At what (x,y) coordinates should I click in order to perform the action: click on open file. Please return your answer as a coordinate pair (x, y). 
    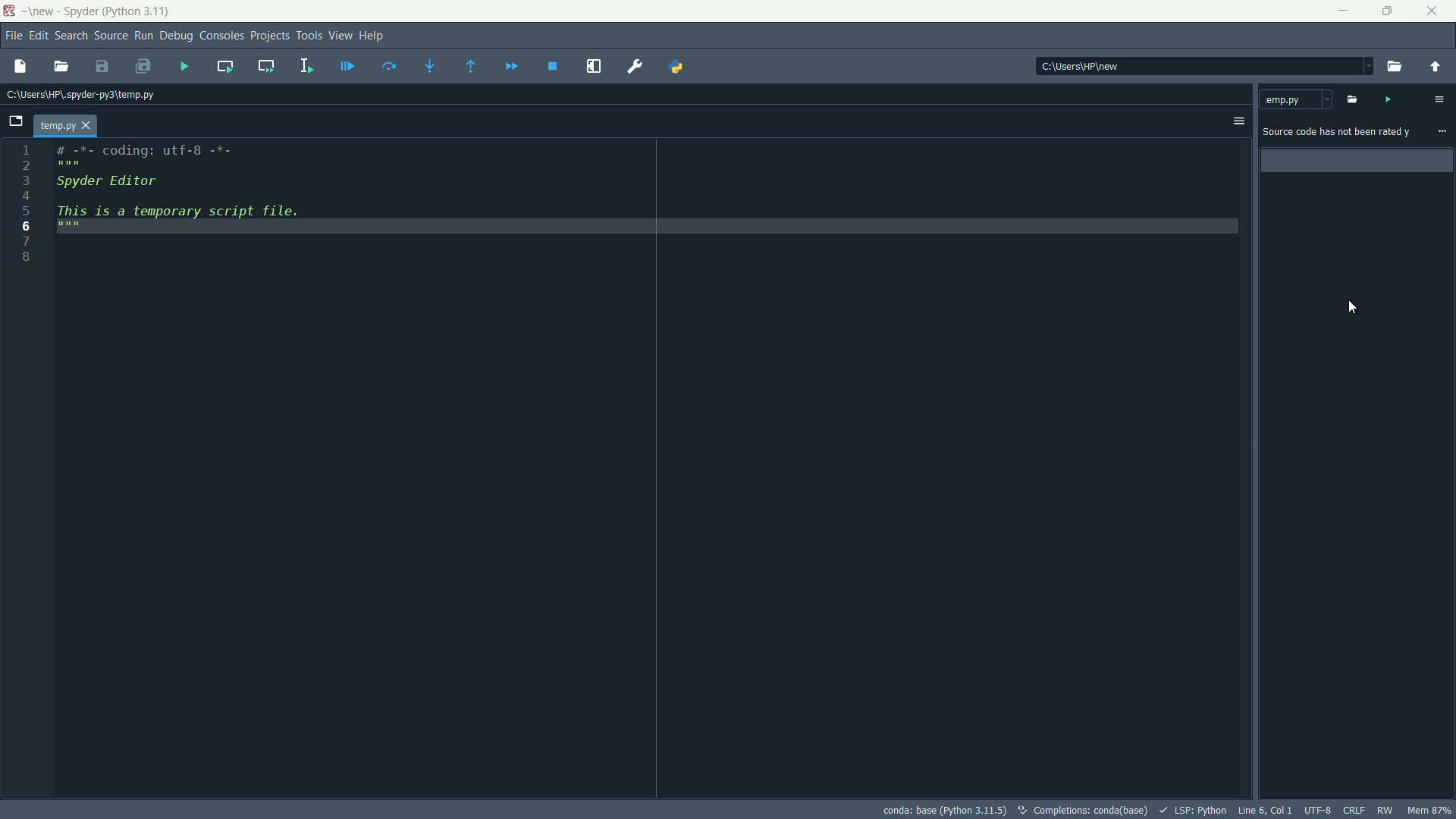
    Looking at the image, I should click on (61, 67).